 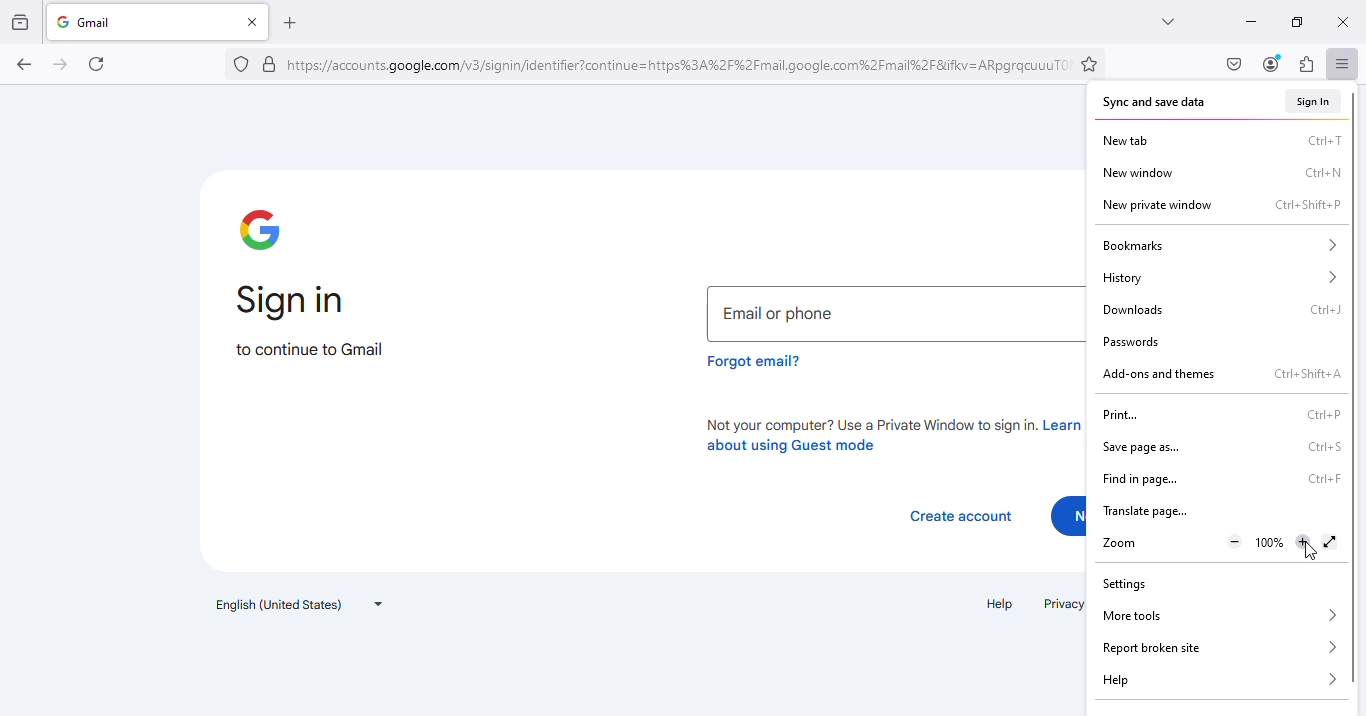 What do you see at coordinates (301, 604) in the screenshot?
I see `text language` at bounding box center [301, 604].